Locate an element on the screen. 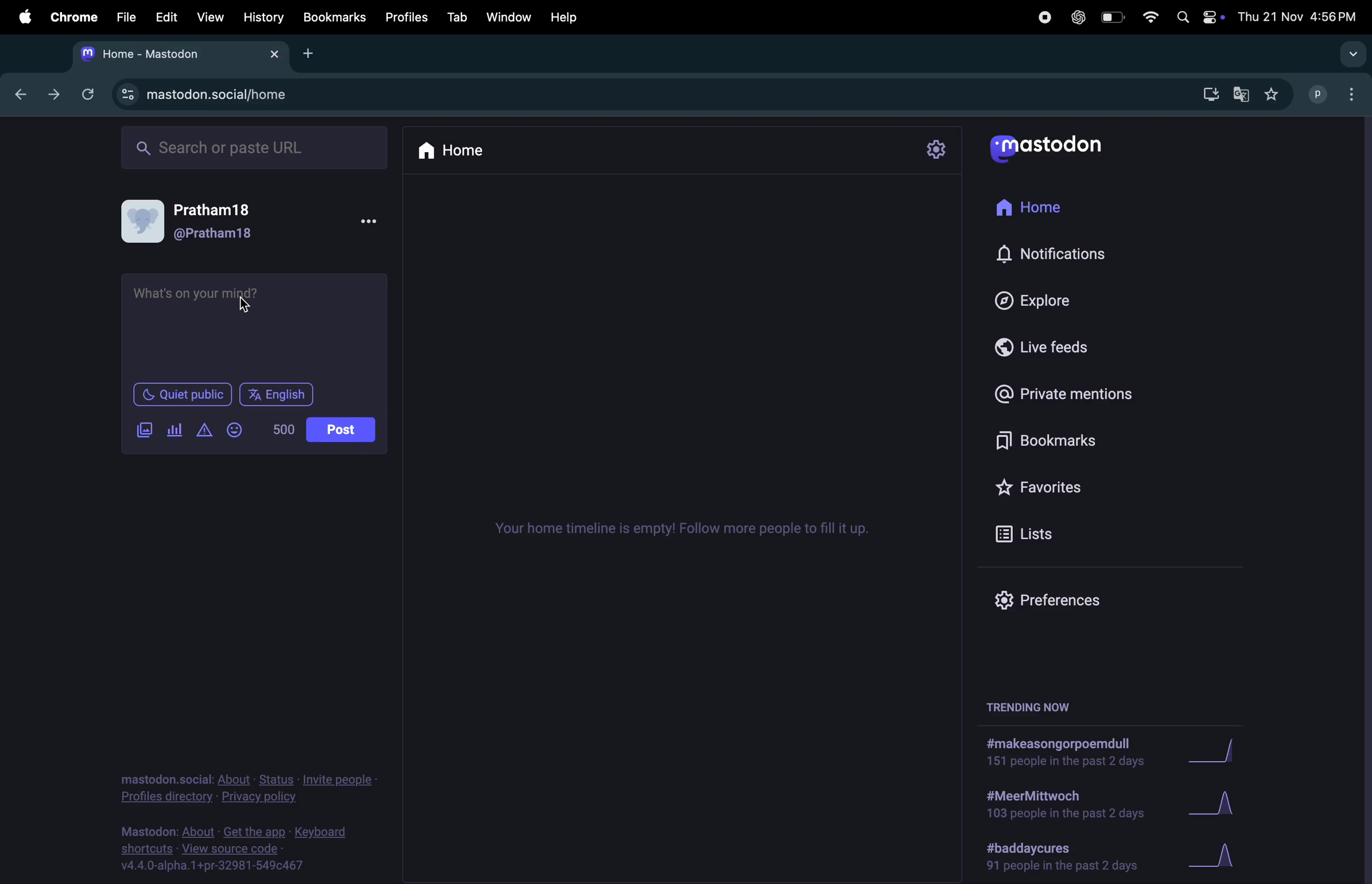 The image size is (1372, 884). live feeds is located at coordinates (1056, 348).